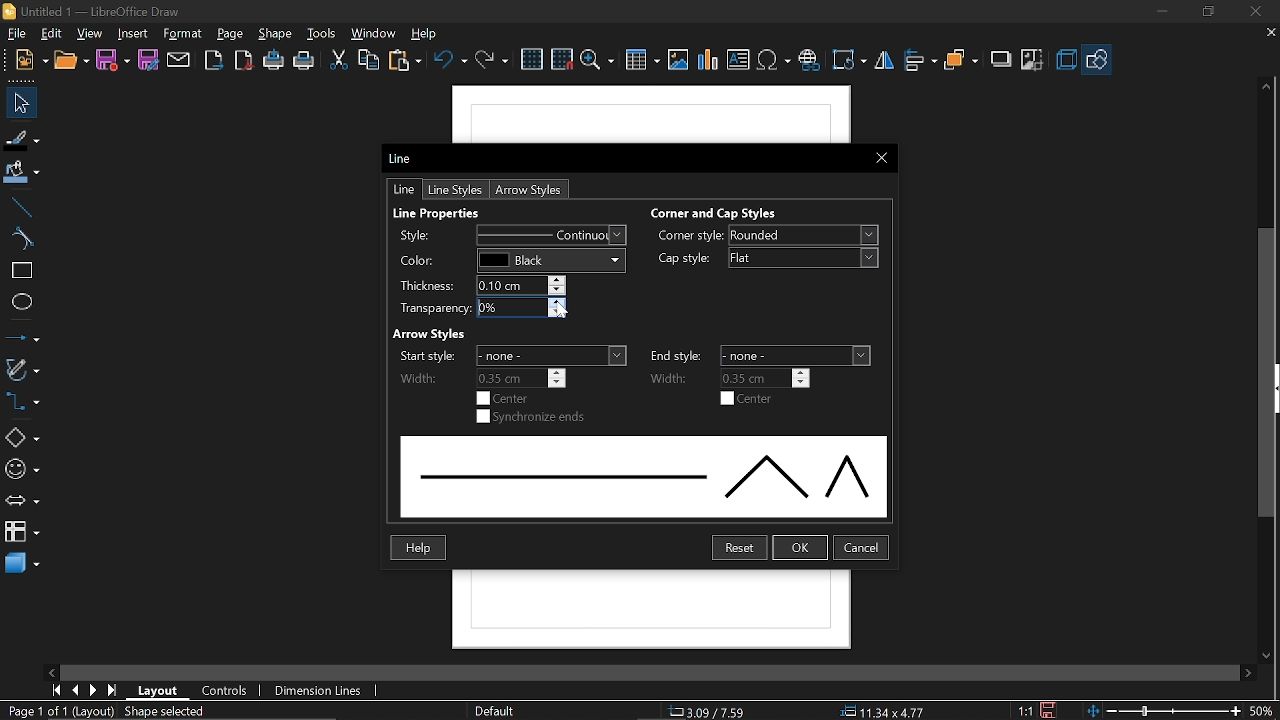 The image size is (1280, 720). What do you see at coordinates (370, 60) in the screenshot?
I see `copy` at bounding box center [370, 60].